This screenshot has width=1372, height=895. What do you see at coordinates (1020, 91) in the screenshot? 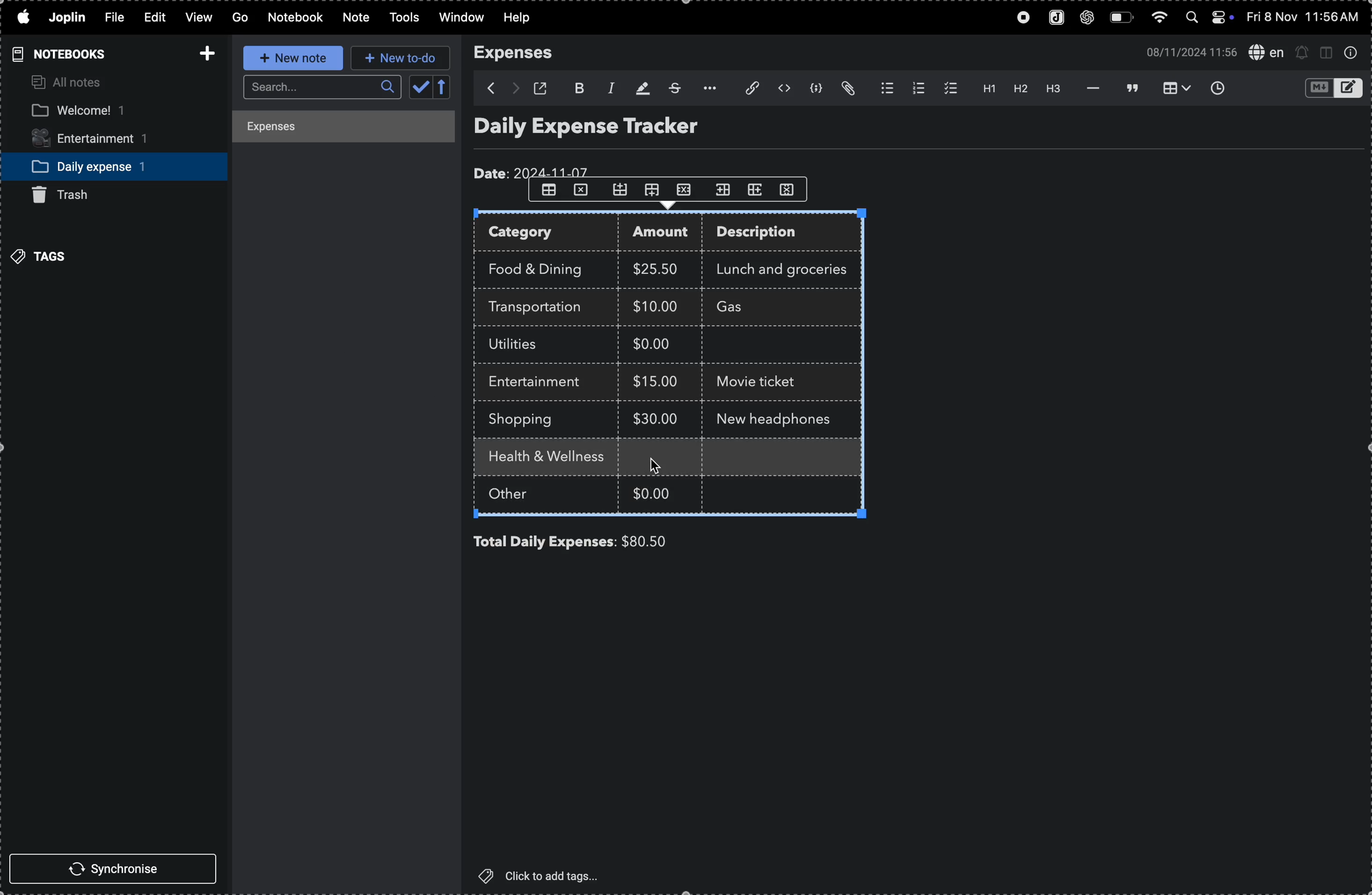
I see `heading 2` at bounding box center [1020, 91].